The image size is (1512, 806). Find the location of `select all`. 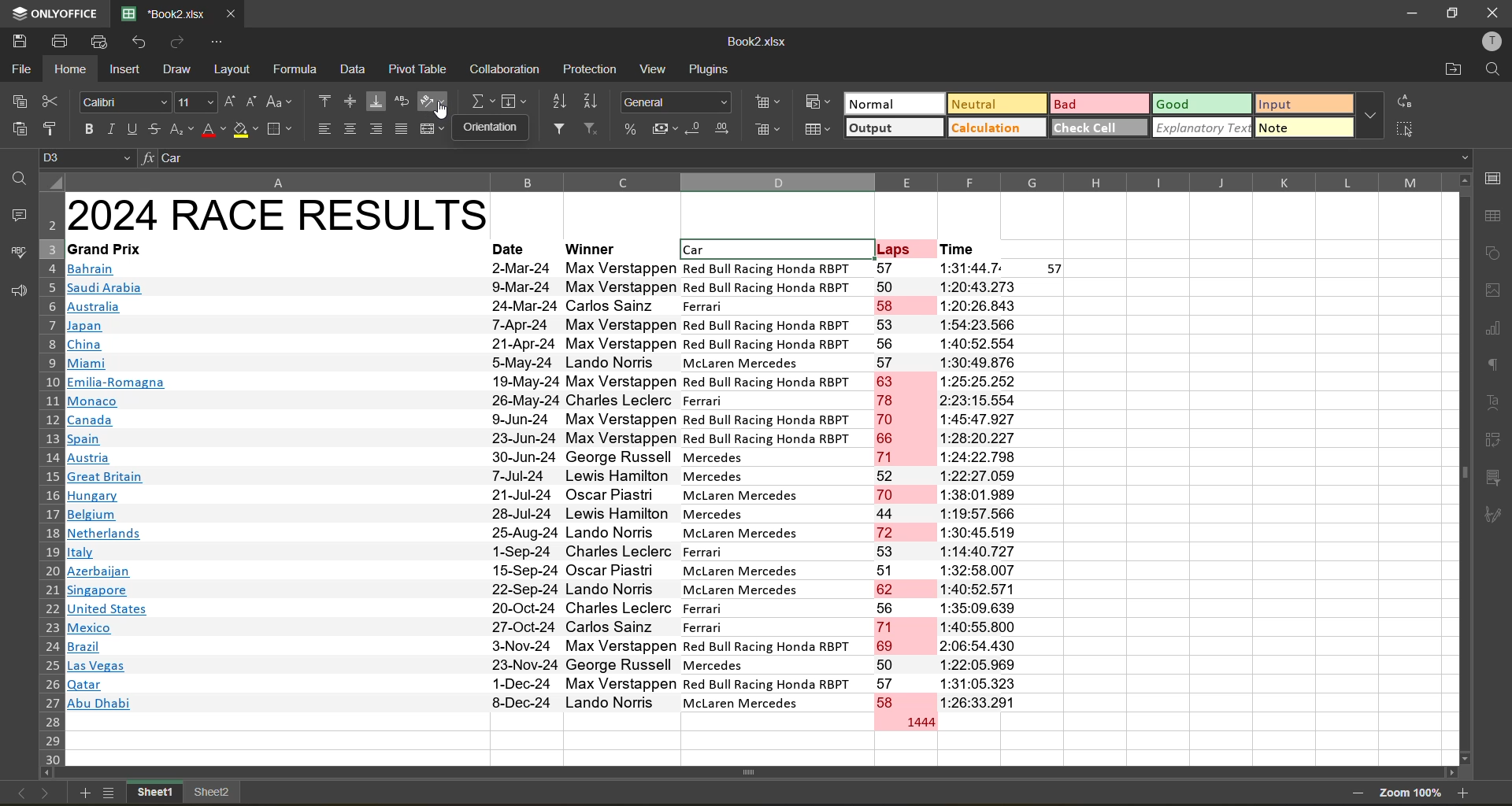

select all is located at coordinates (1410, 130).